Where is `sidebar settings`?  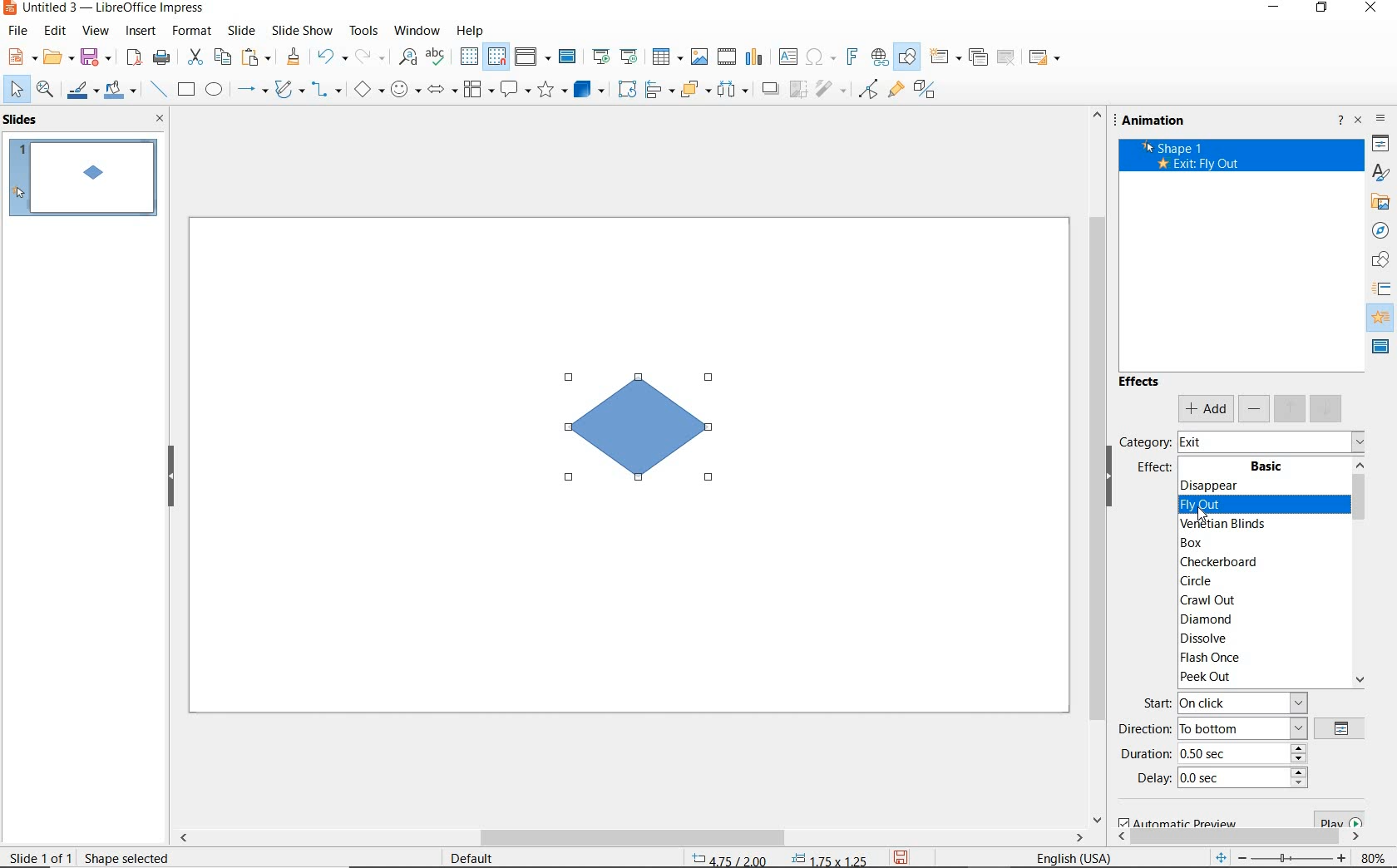 sidebar settings is located at coordinates (1381, 120).